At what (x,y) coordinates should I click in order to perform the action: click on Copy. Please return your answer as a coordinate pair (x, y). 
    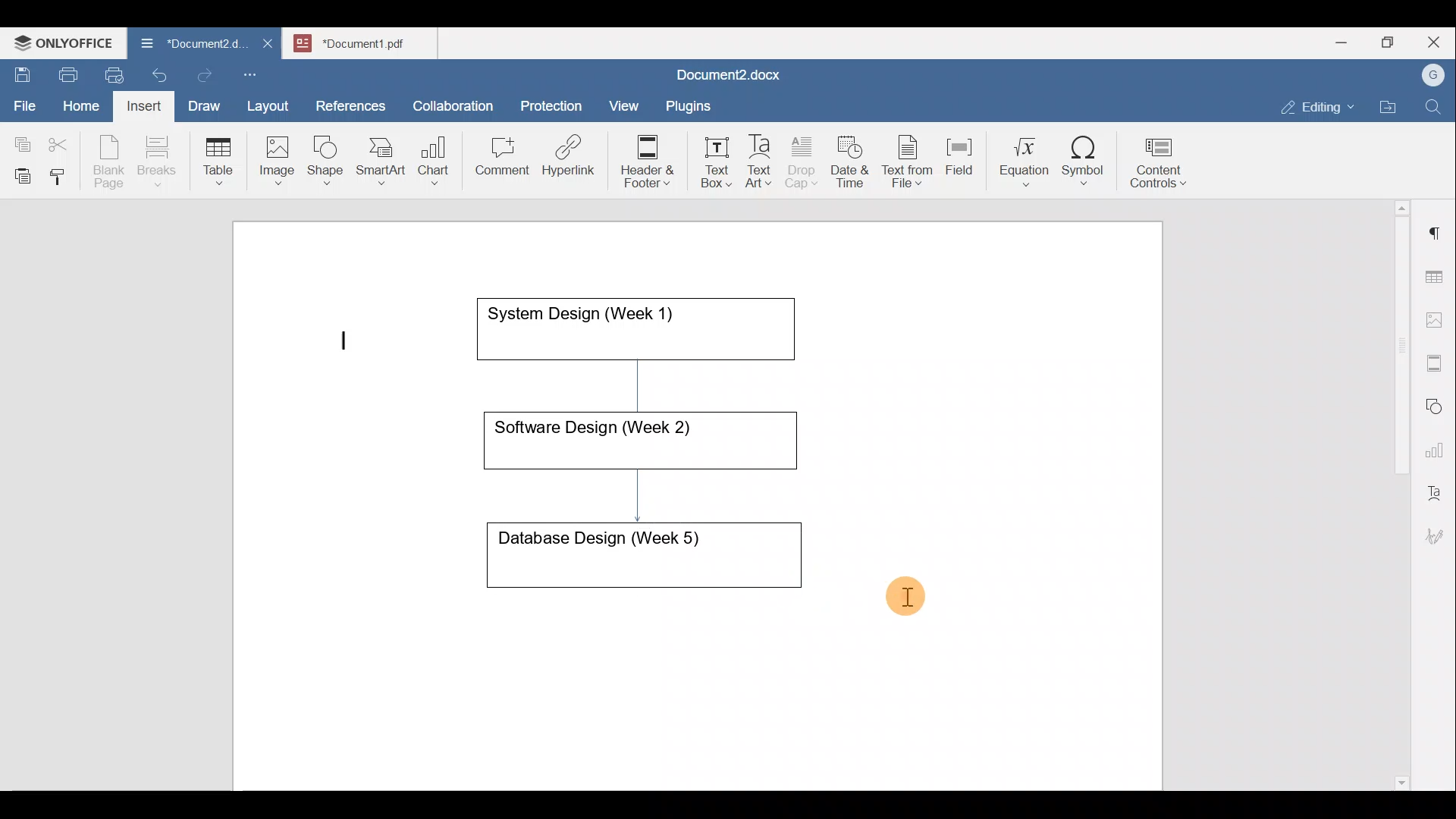
    Looking at the image, I should click on (20, 140).